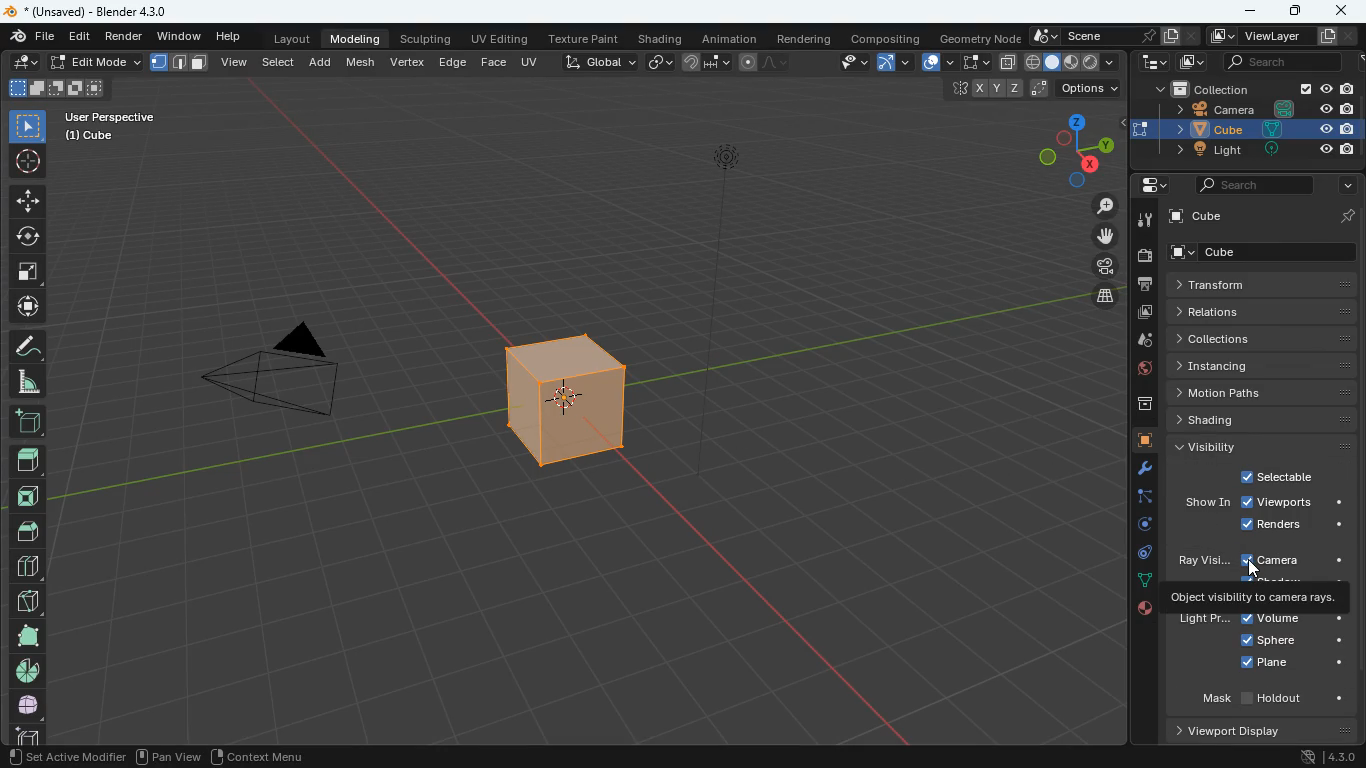 Image resolution: width=1366 pixels, height=768 pixels. What do you see at coordinates (806, 39) in the screenshot?
I see `rendering` at bounding box center [806, 39].